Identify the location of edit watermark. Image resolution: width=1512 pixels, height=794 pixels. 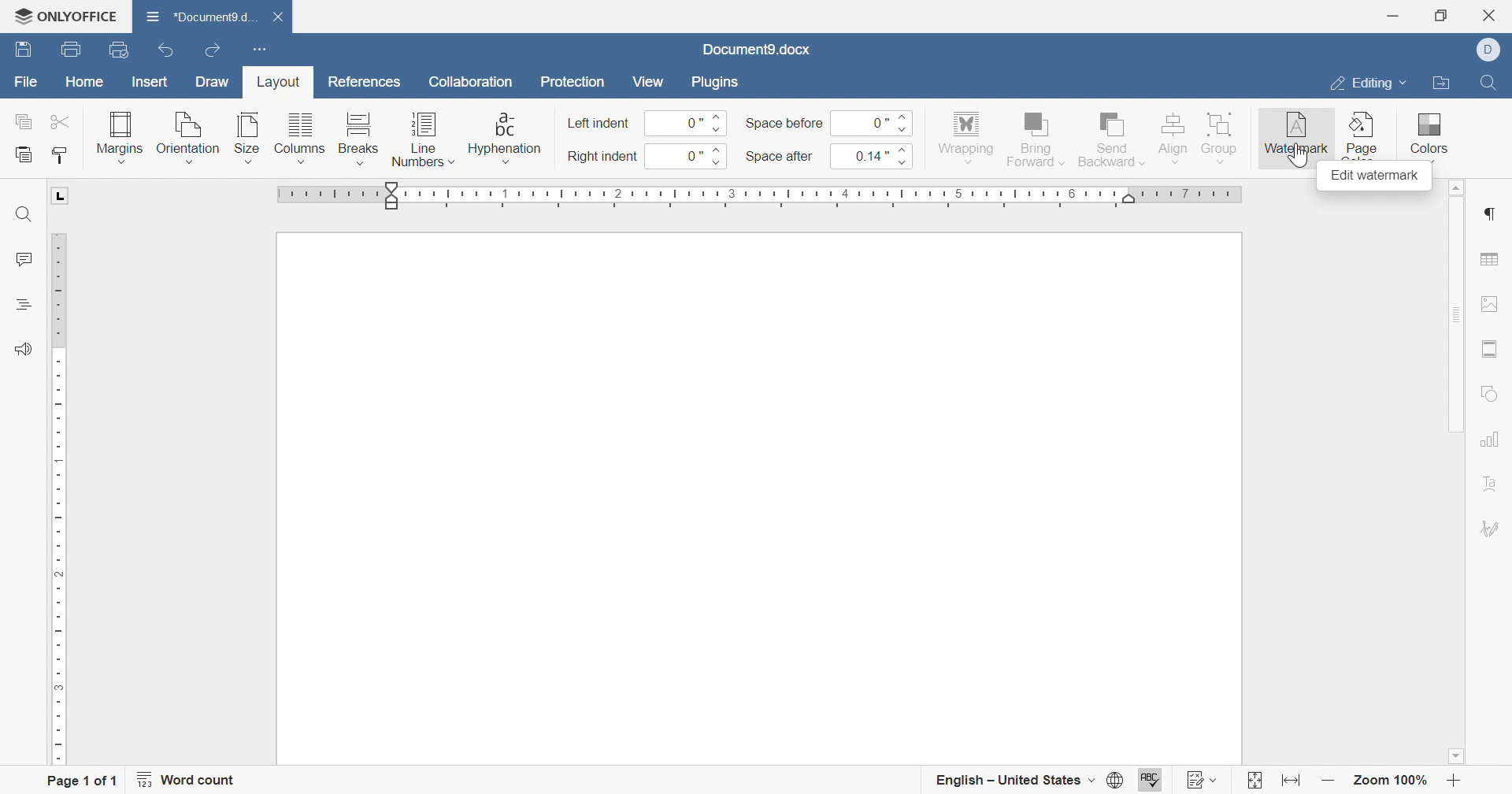
(1373, 175).